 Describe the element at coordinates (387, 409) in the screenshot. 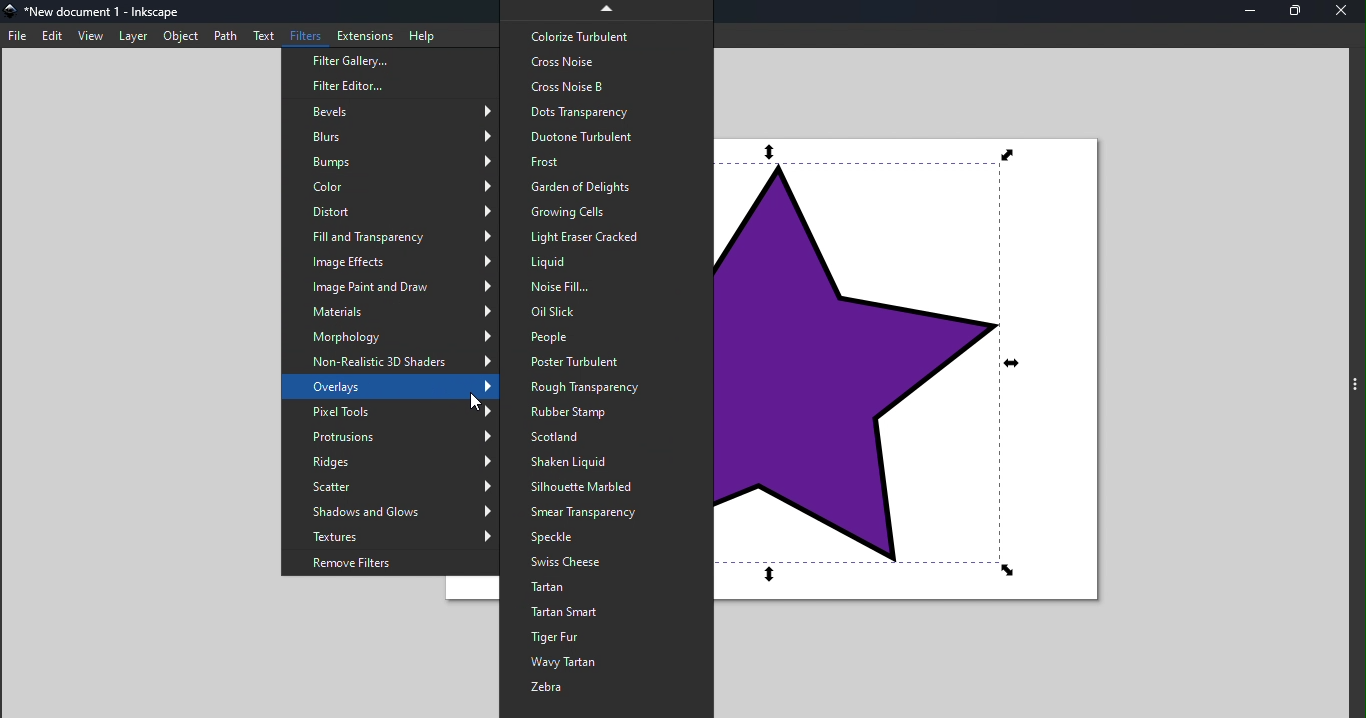

I see `Pixel tools` at that location.